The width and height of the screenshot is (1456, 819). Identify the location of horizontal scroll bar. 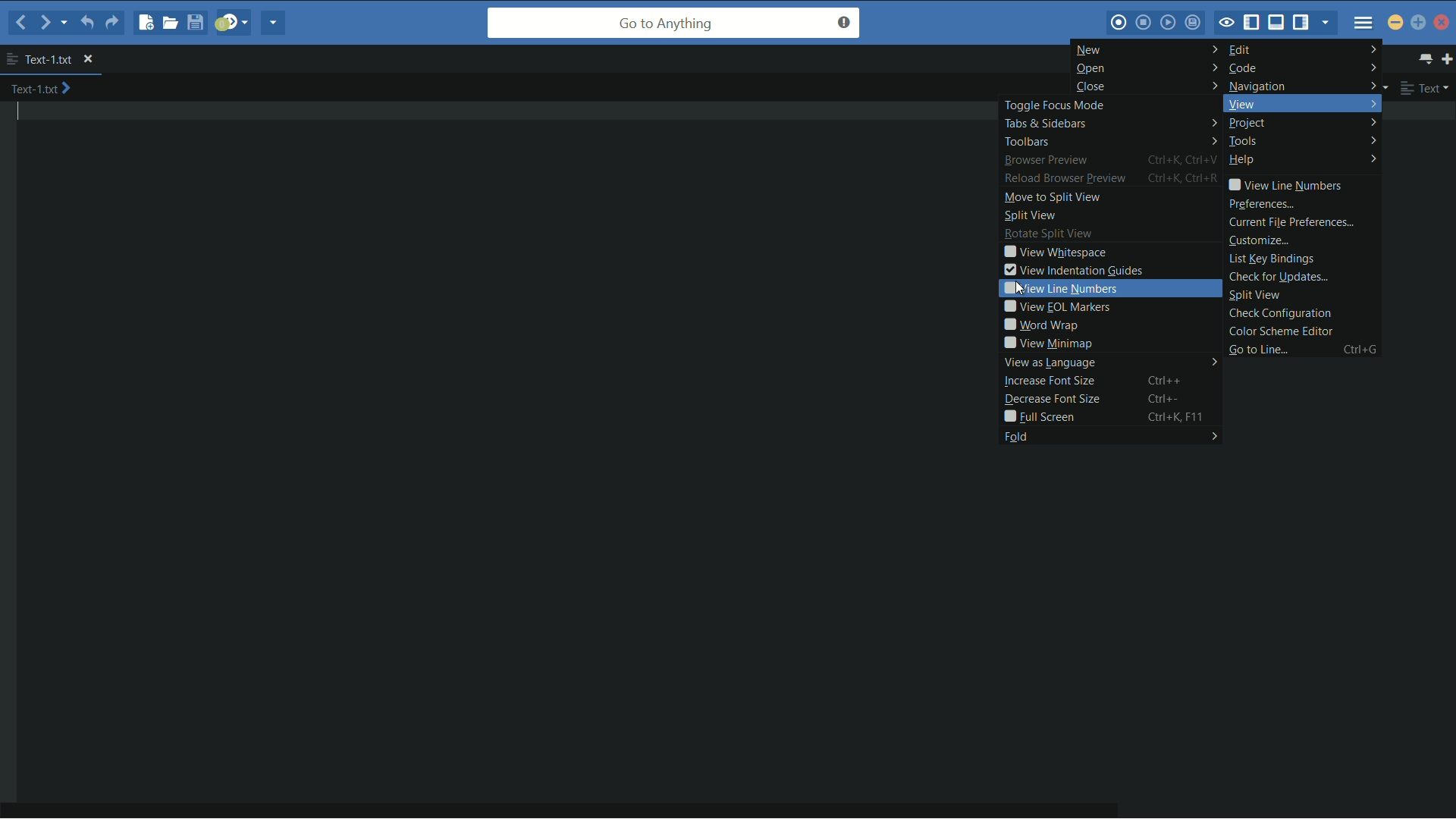
(580, 805).